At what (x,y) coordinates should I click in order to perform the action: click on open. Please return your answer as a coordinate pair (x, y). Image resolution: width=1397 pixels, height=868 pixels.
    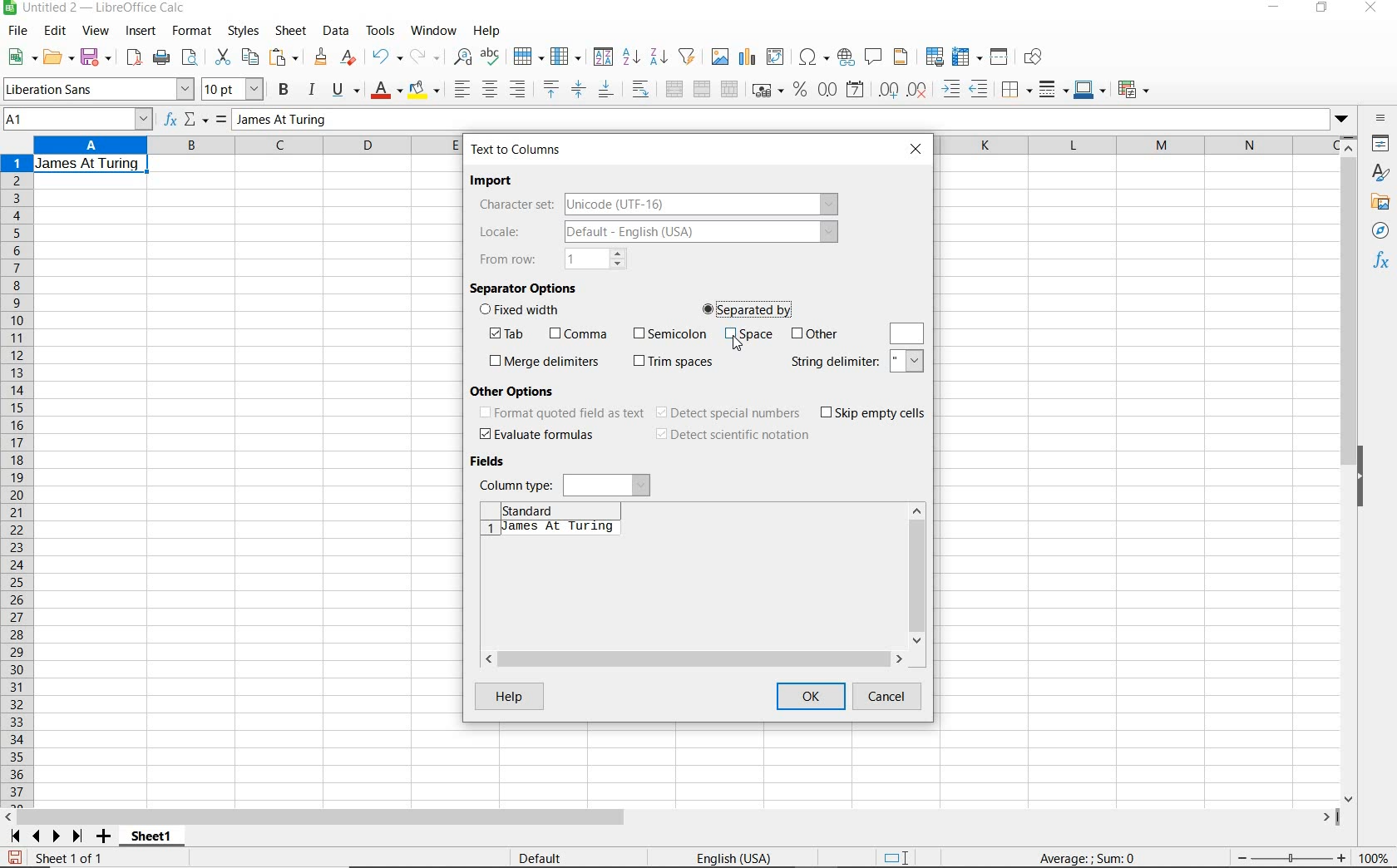
    Looking at the image, I should click on (58, 57).